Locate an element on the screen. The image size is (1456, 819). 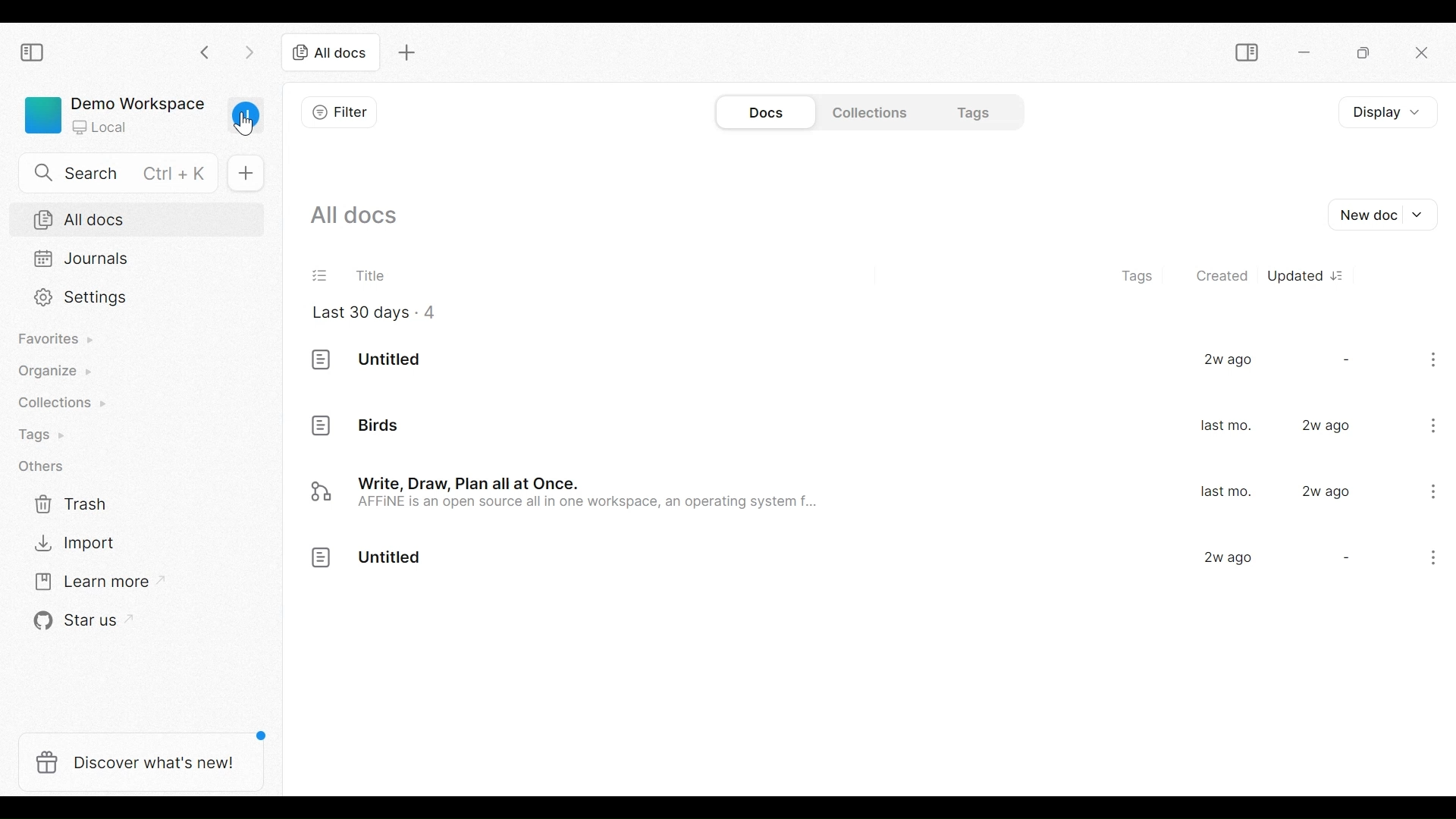
Untitled is located at coordinates (391, 560).